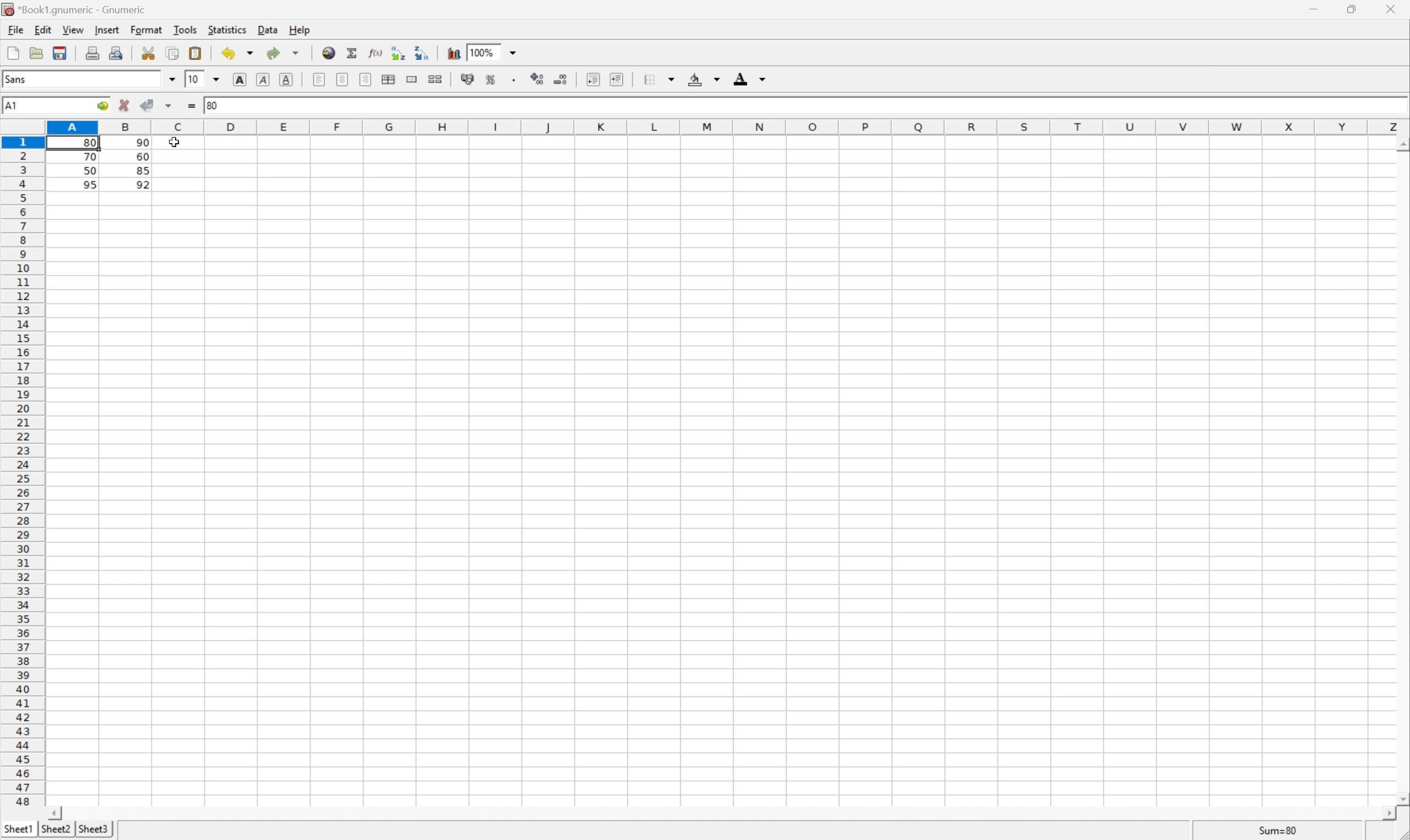 The height and width of the screenshot is (840, 1410). Describe the element at coordinates (12, 50) in the screenshot. I see `Create a new workbook` at that location.